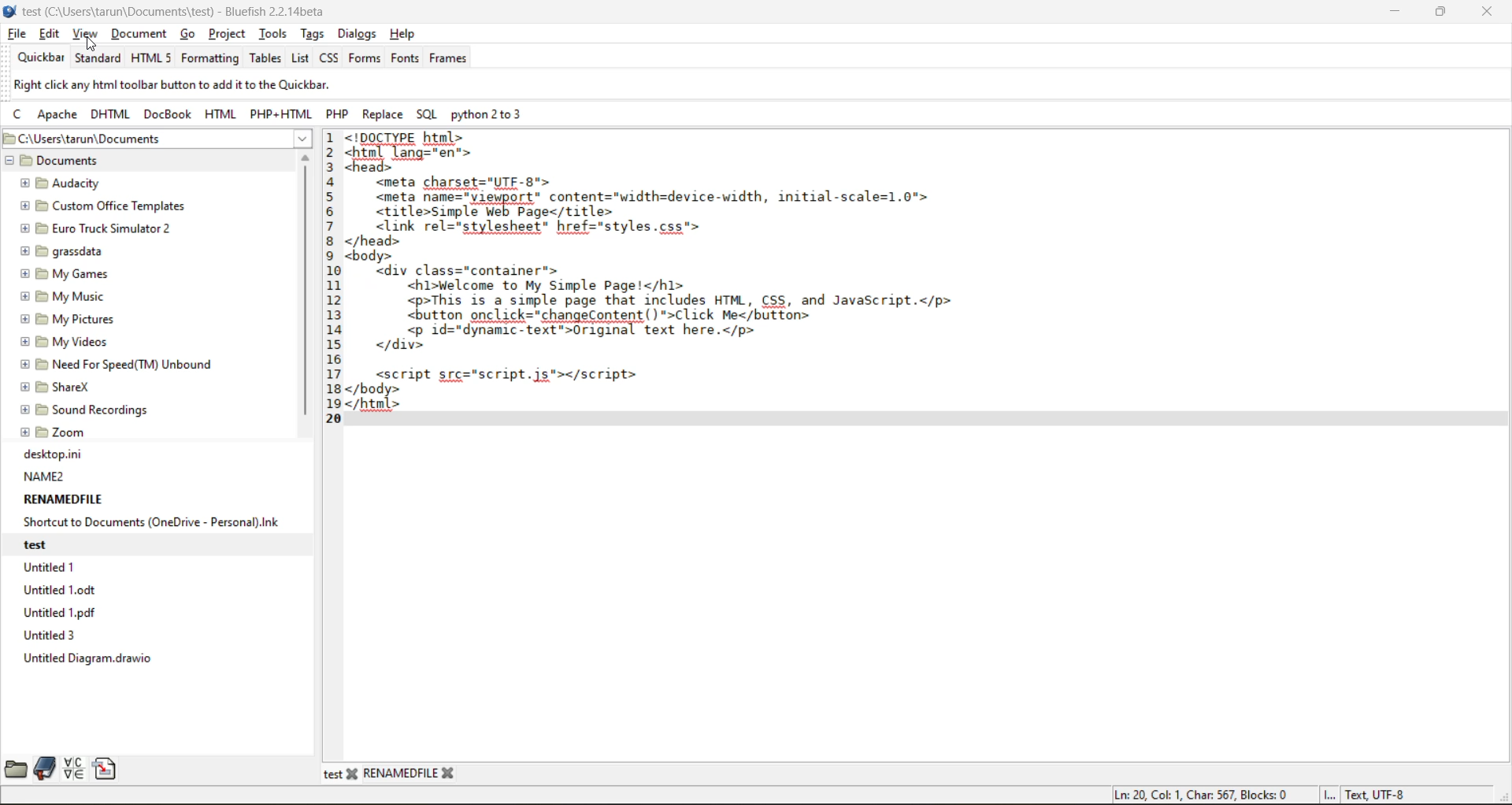 The image size is (1512, 805). What do you see at coordinates (220, 115) in the screenshot?
I see `html` at bounding box center [220, 115].